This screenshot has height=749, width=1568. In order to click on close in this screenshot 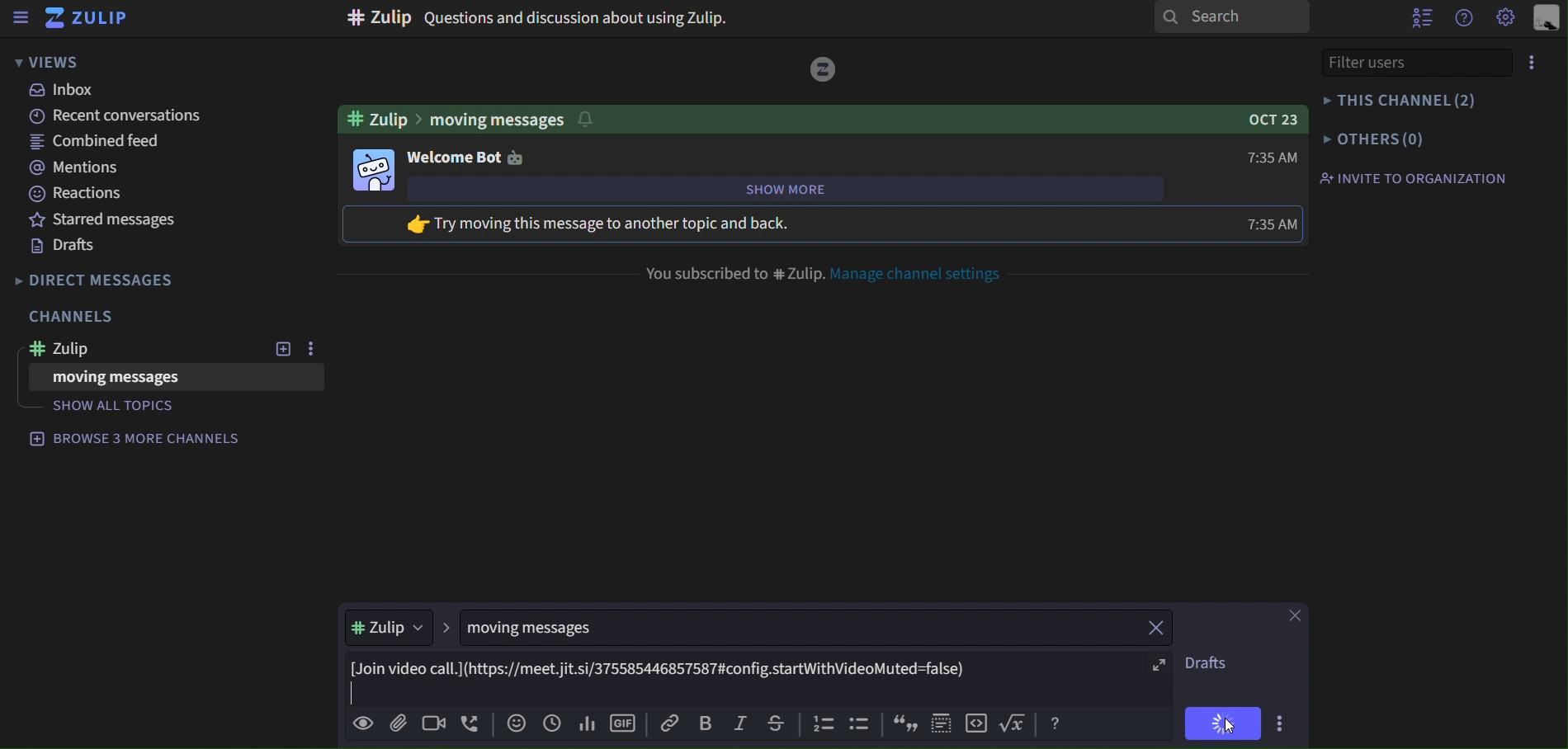, I will do `click(1157, 628)`.